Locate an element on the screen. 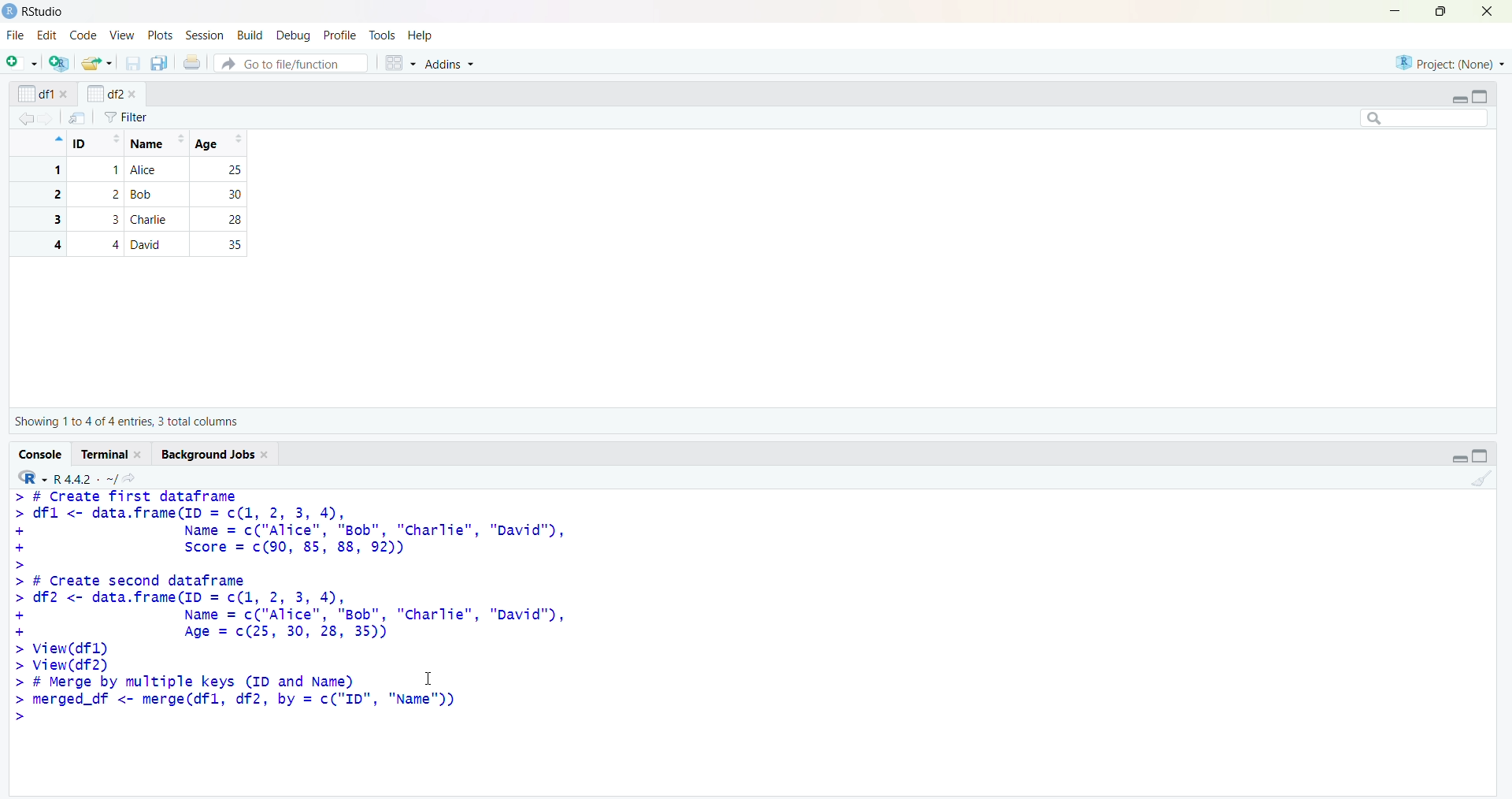 This screenshot has height=799, width=1512. minimise is located at coordinates (1395, 10).